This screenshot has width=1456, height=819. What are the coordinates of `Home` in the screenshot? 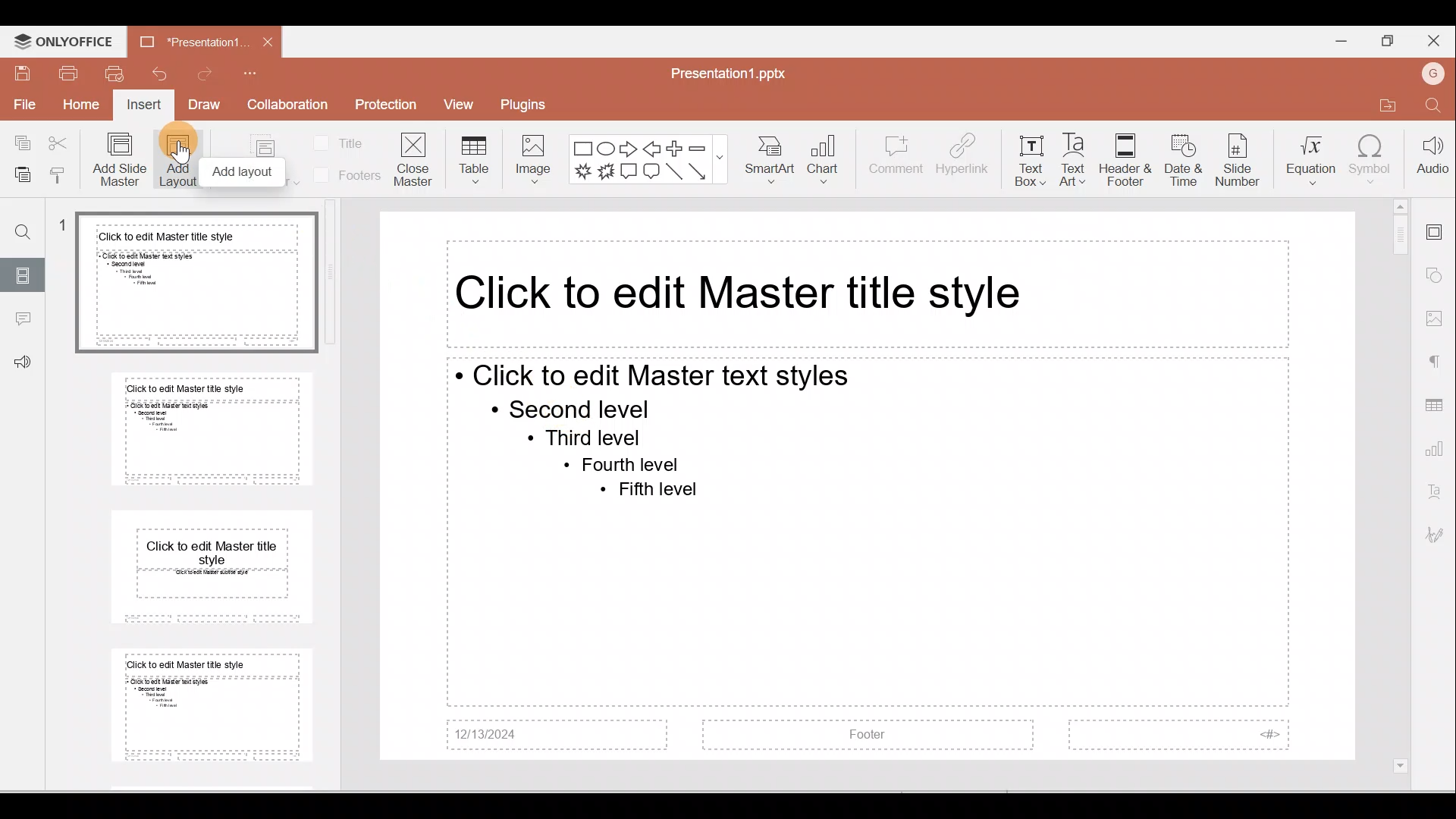 It's located at (80, 107).